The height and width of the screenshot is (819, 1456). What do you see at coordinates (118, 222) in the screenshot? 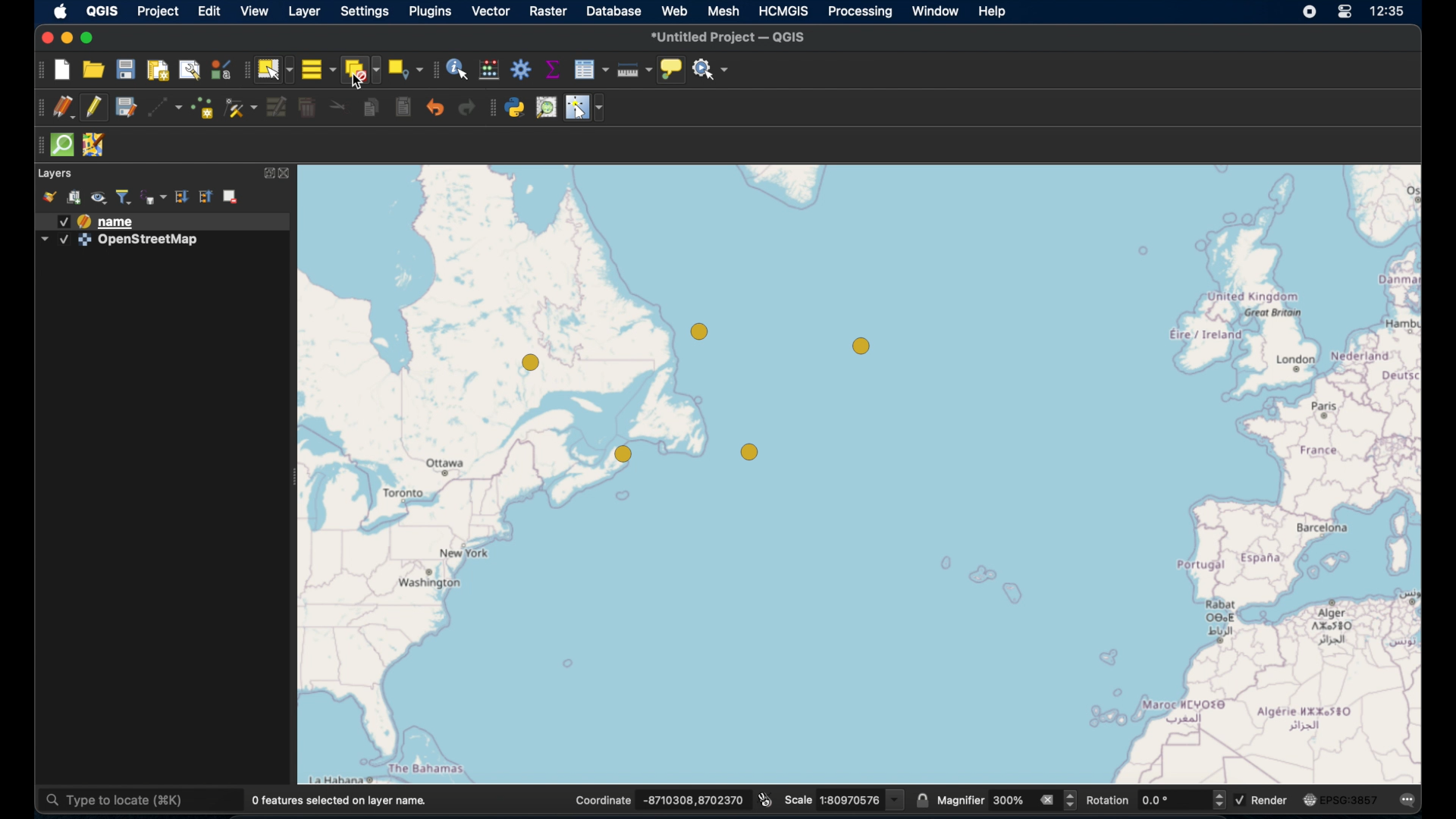
I see `name` at bounding box center [118, 222].